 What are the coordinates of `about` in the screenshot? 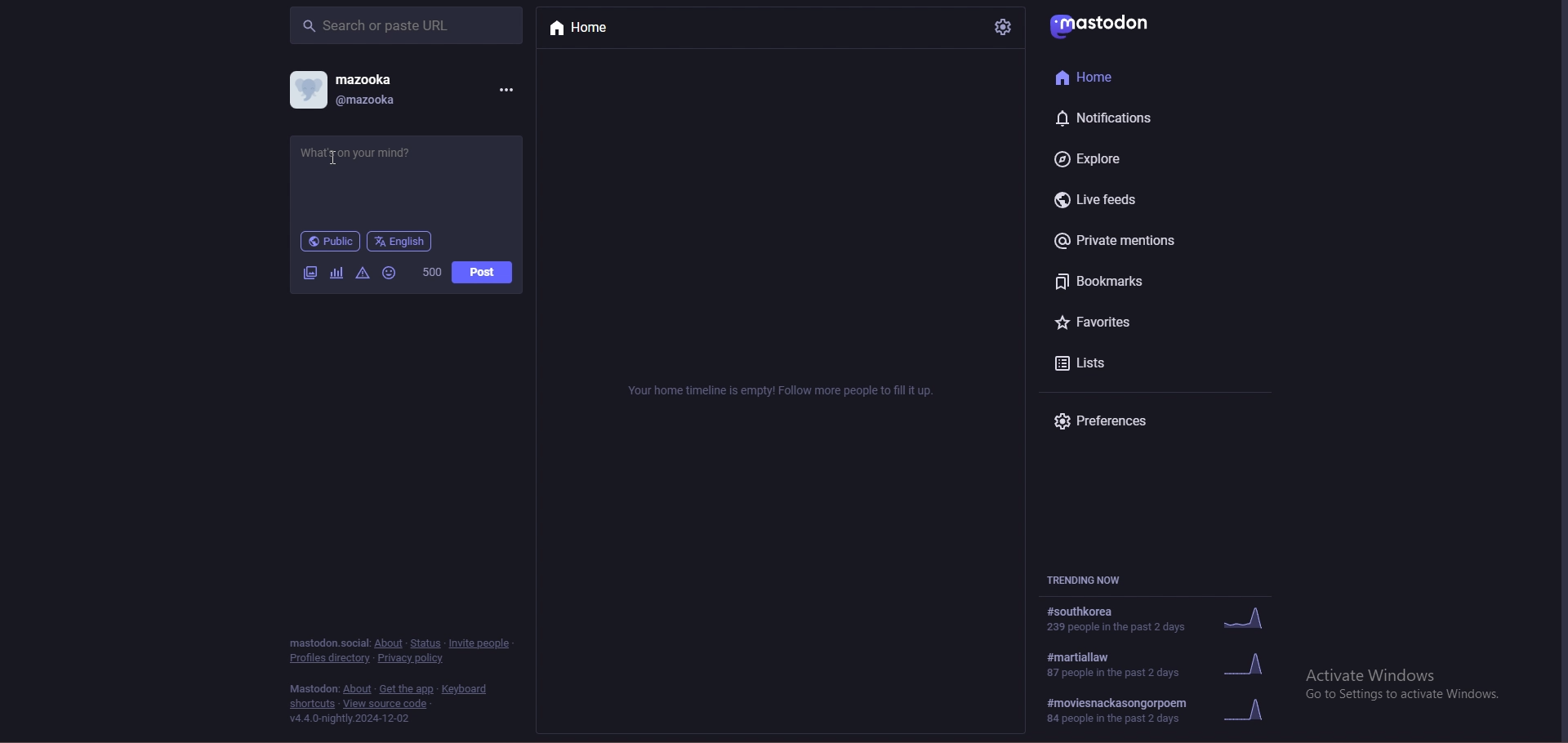 It's located at (357, 689).